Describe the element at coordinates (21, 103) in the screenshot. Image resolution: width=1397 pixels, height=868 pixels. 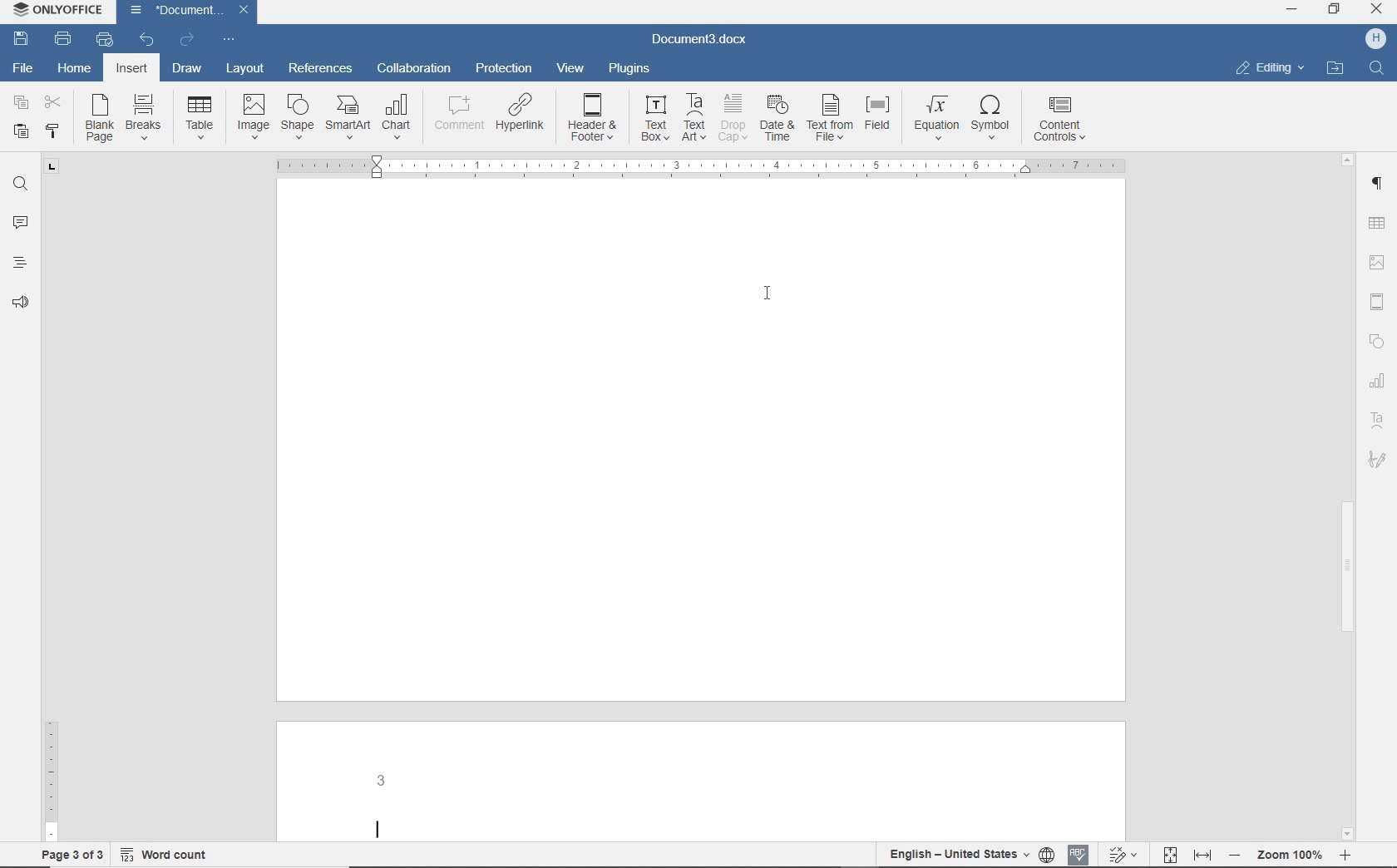
I see `COPY` at that location.